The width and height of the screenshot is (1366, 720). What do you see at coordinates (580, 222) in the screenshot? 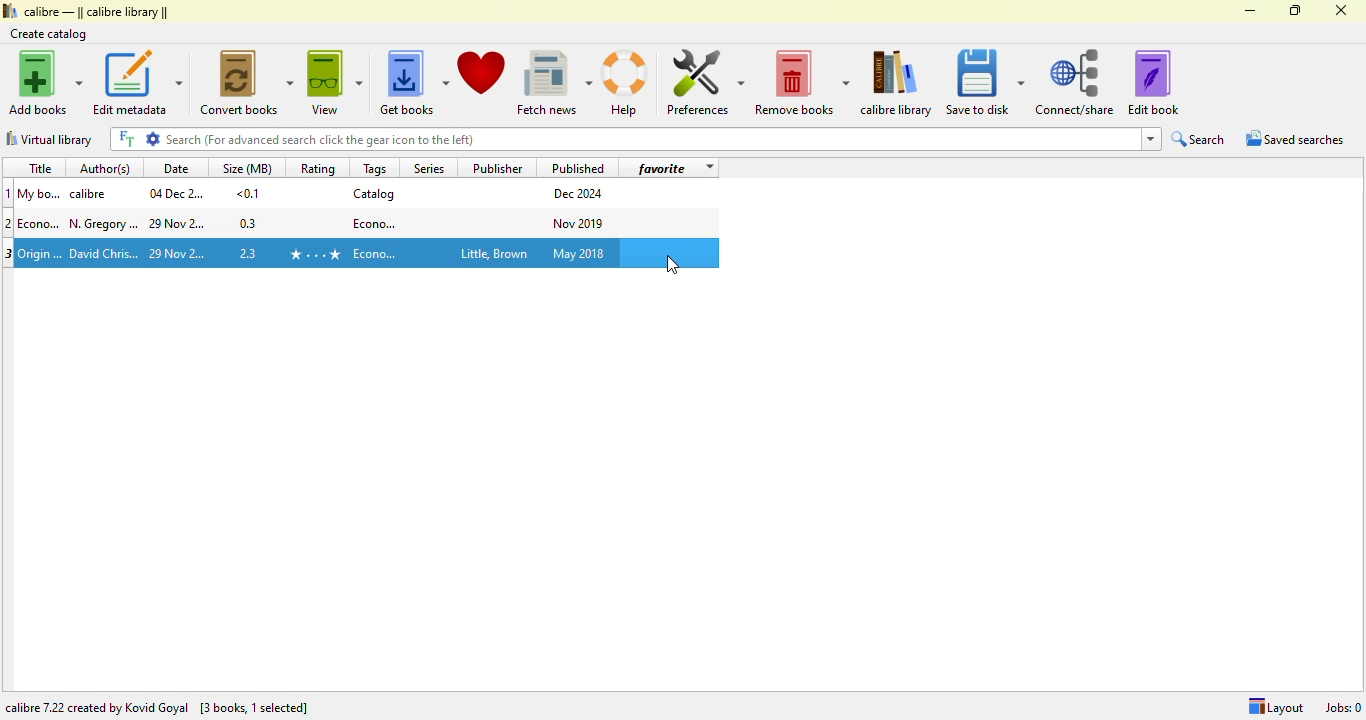
I see `publish date` at bounding box center [580, 222].